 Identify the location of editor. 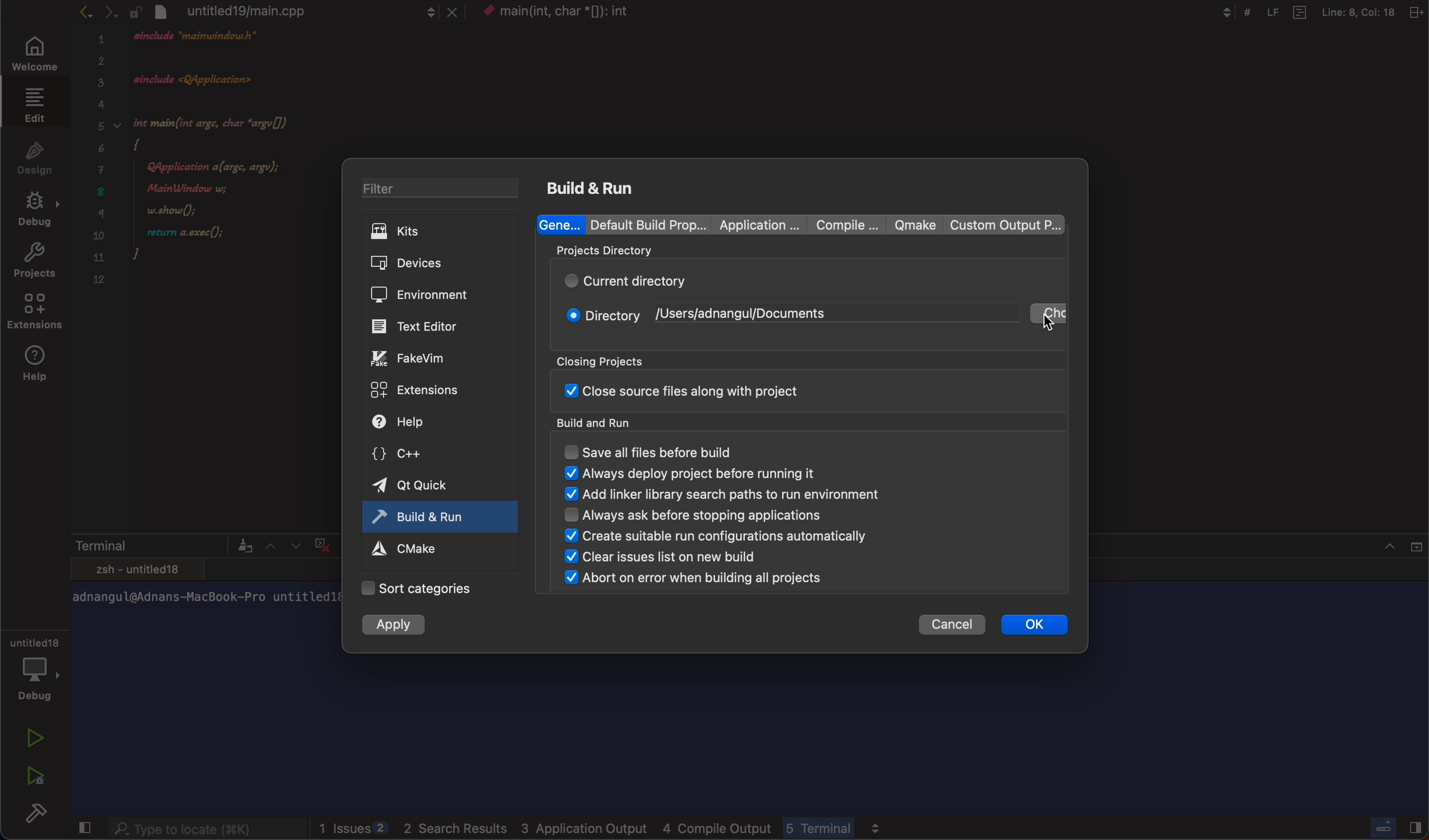
(421, 326).